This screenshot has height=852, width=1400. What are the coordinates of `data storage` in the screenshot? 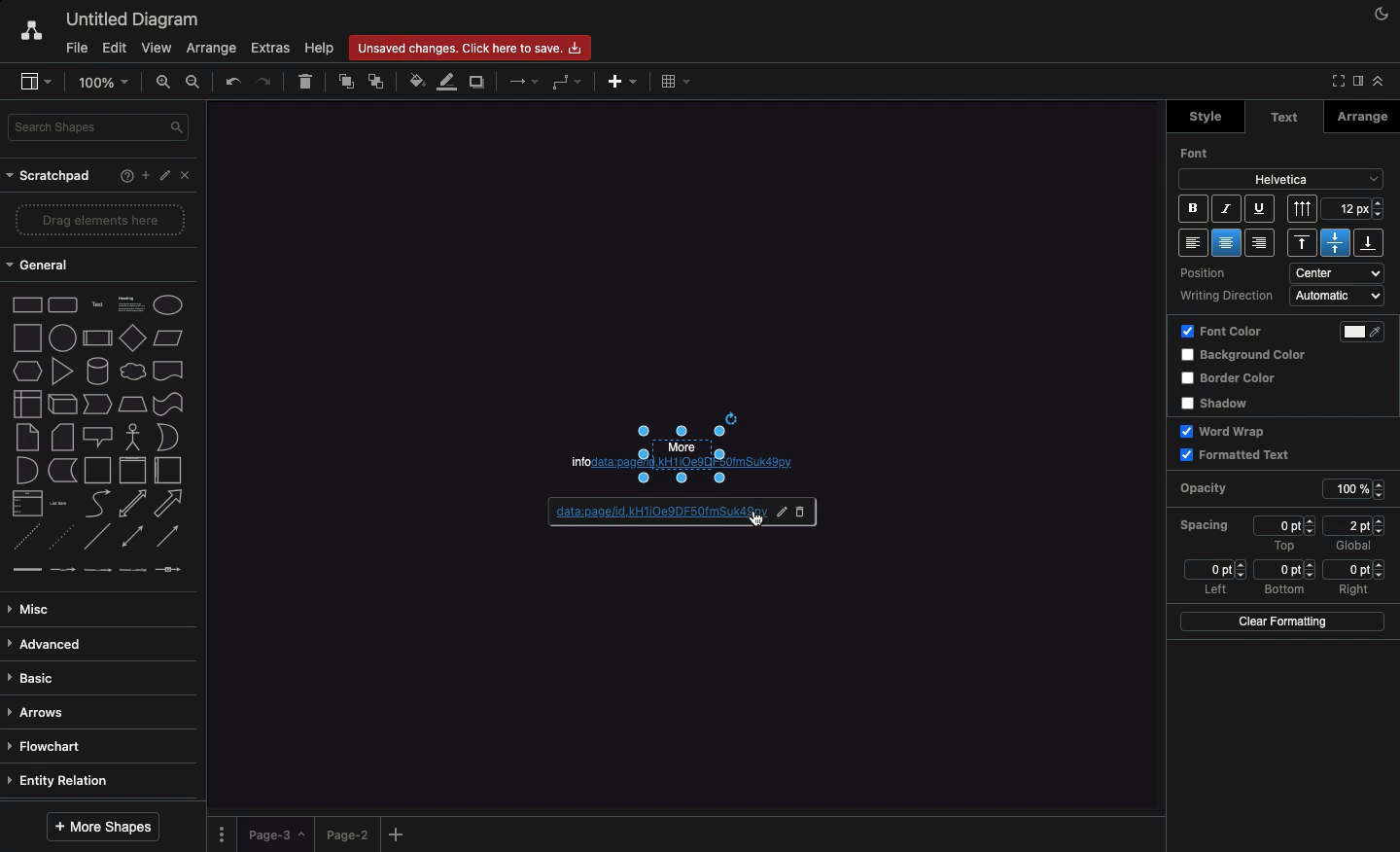 It's located at (63, 471).